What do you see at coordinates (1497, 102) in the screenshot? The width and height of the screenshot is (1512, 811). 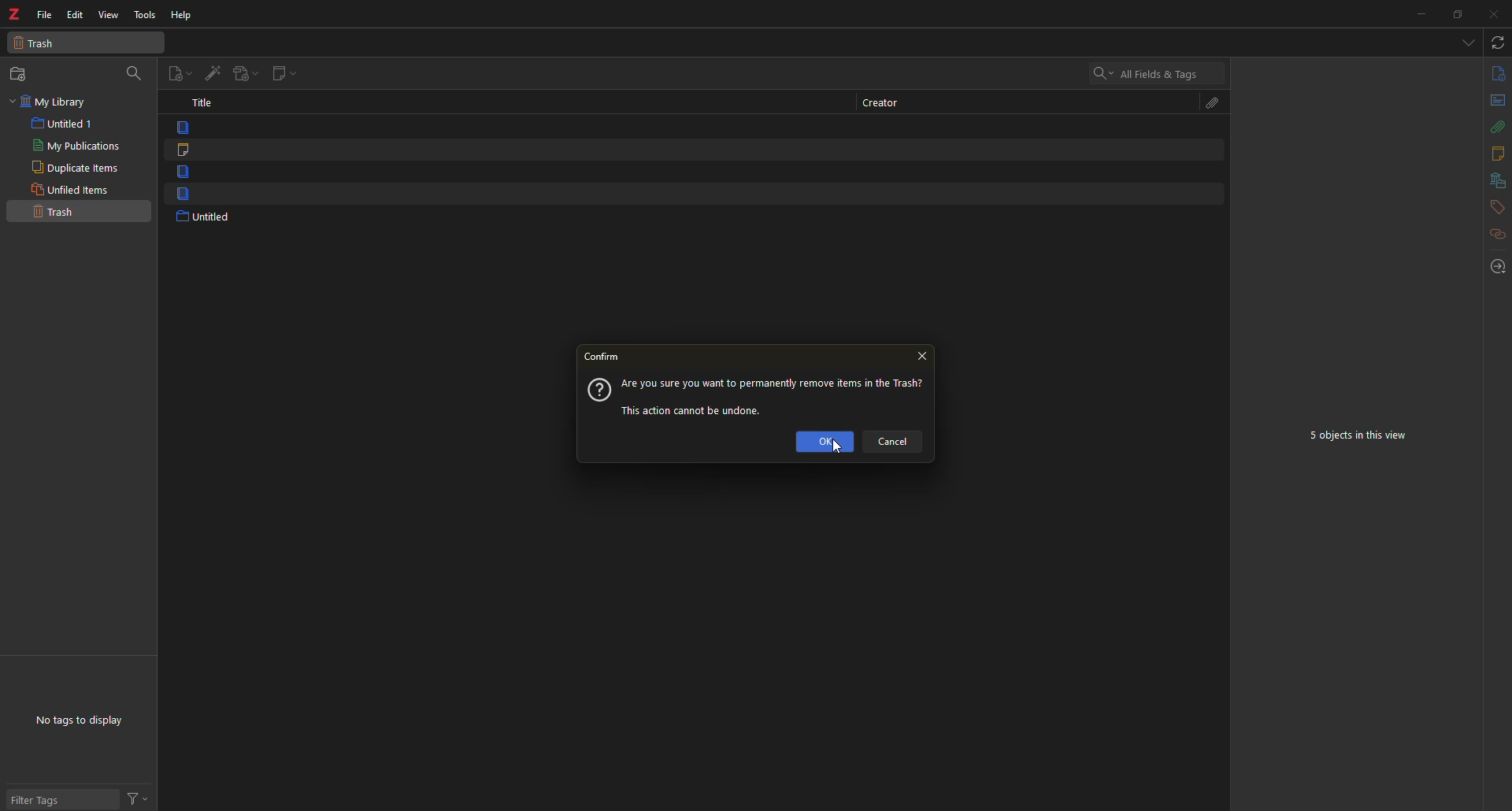 I see `abstract` at bounding box center [1497, 102].